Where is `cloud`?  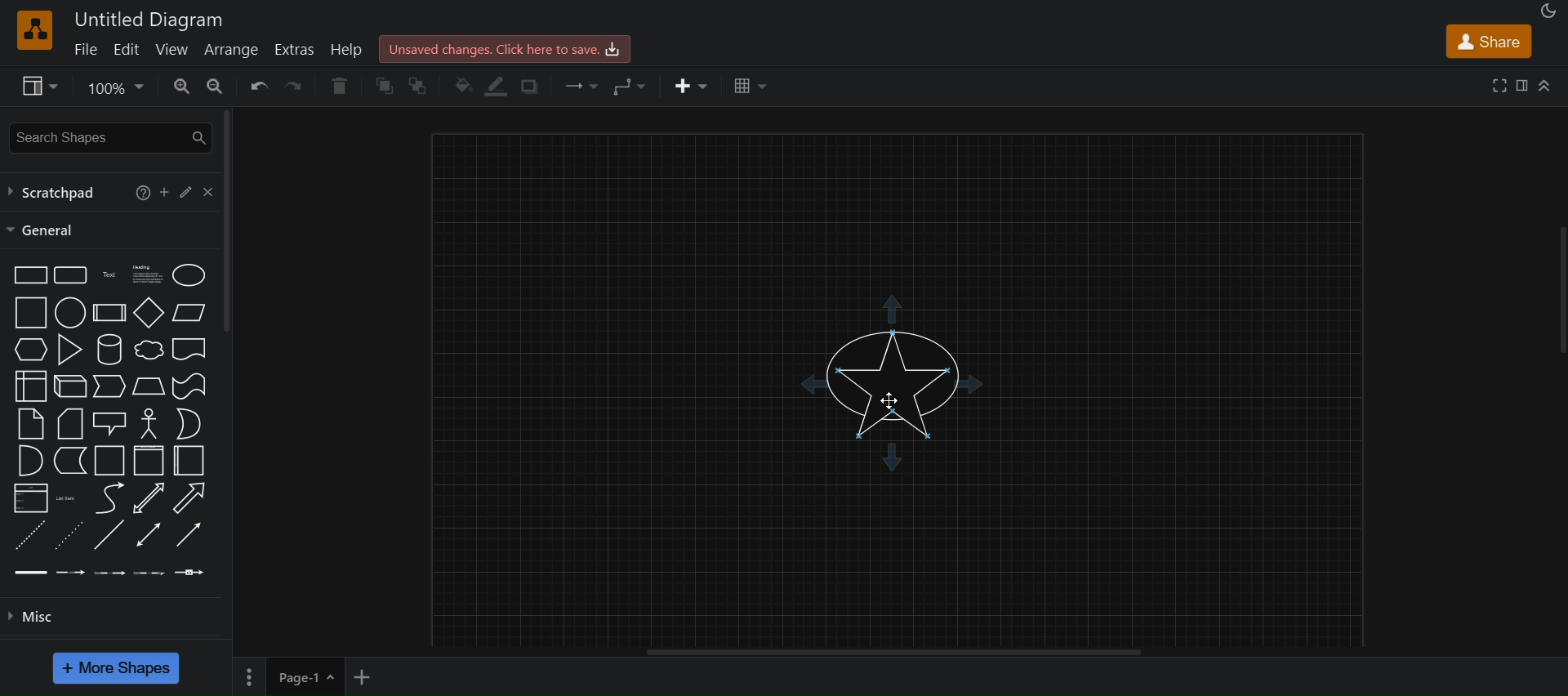 cloud is located at coordinates (149, 350).